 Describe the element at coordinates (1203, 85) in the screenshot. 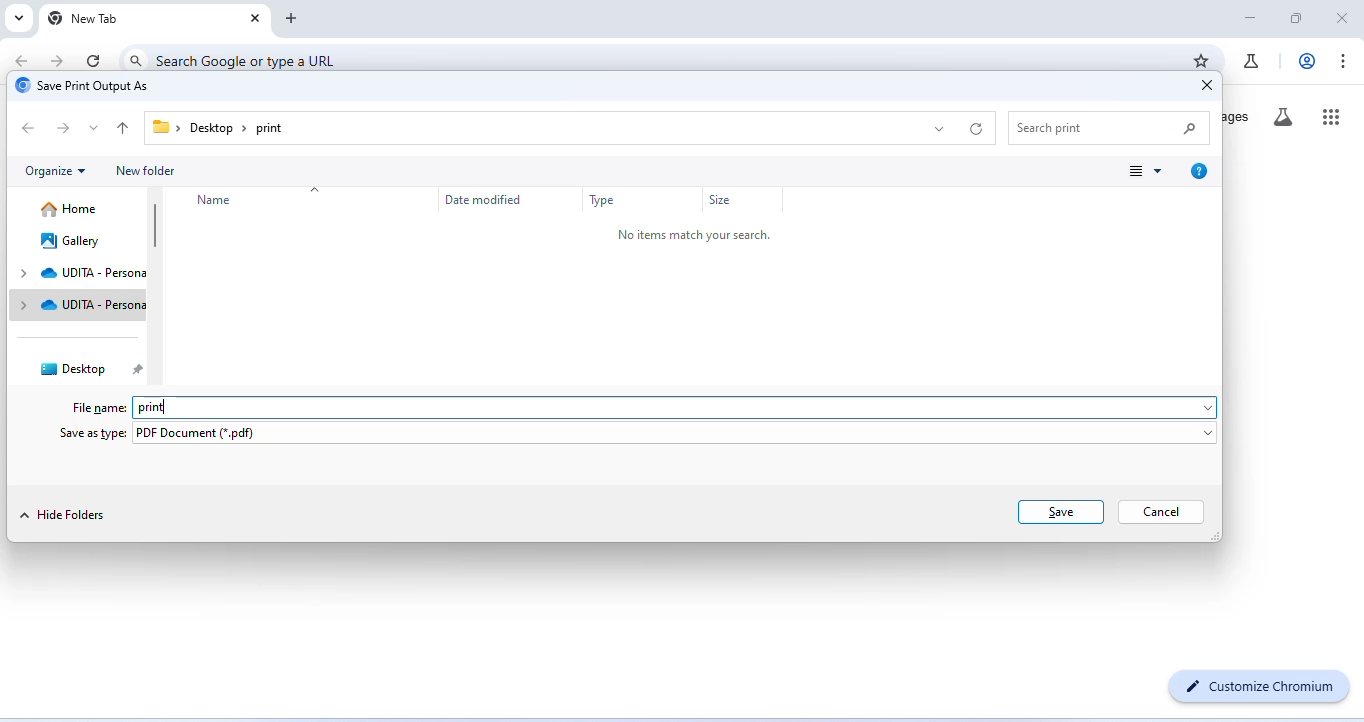

I see `close` at that location.